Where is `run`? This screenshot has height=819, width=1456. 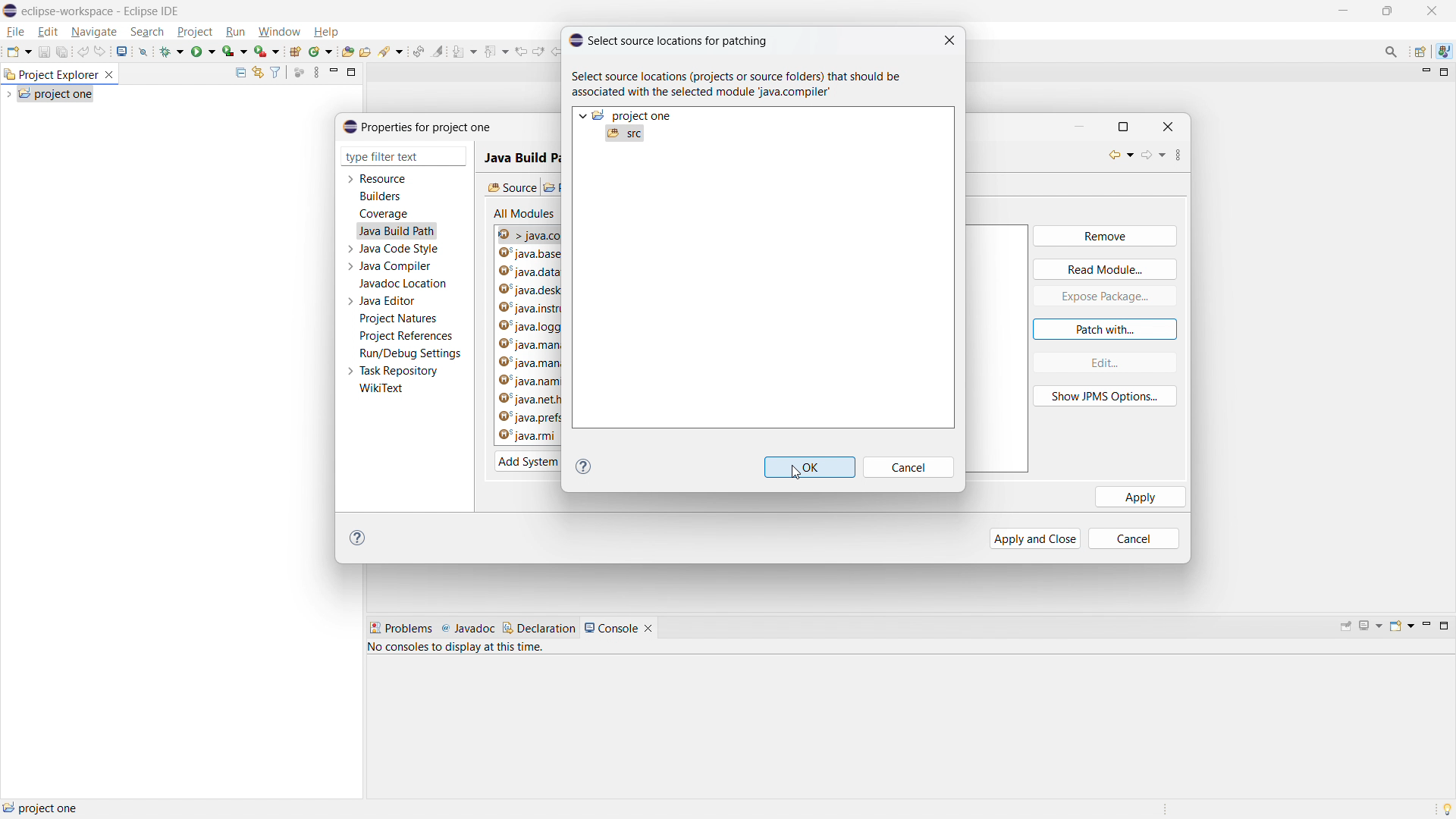 run is located at coordinates (203, 50).